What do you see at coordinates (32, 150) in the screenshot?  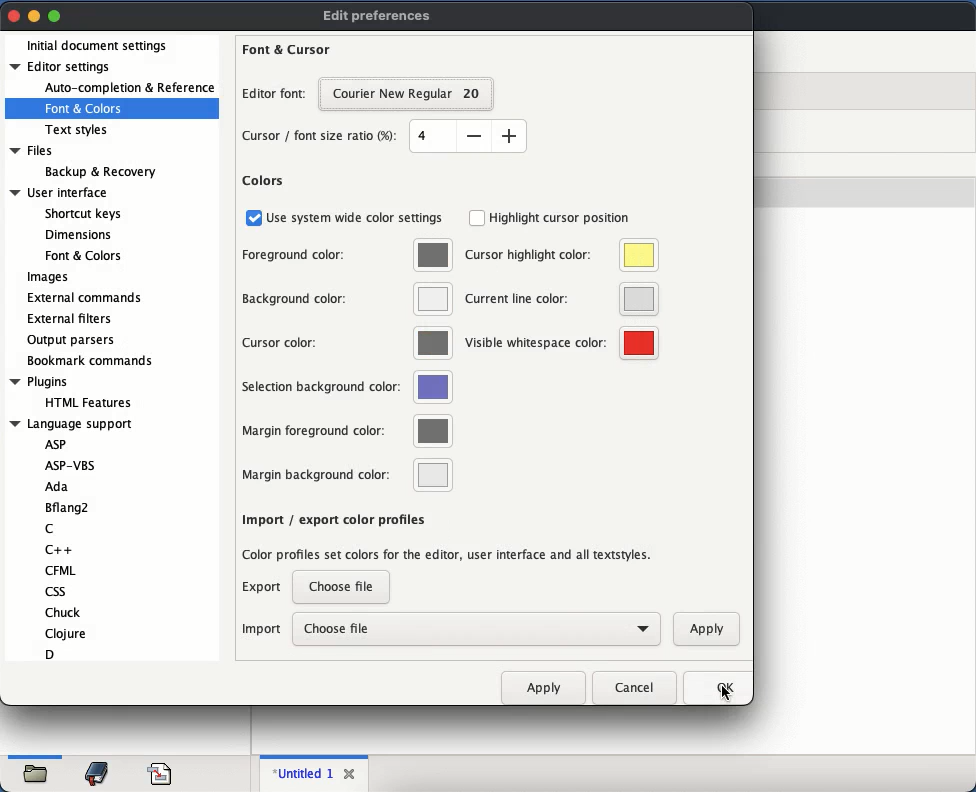 I see `Files` at bounding box center [32, 150].